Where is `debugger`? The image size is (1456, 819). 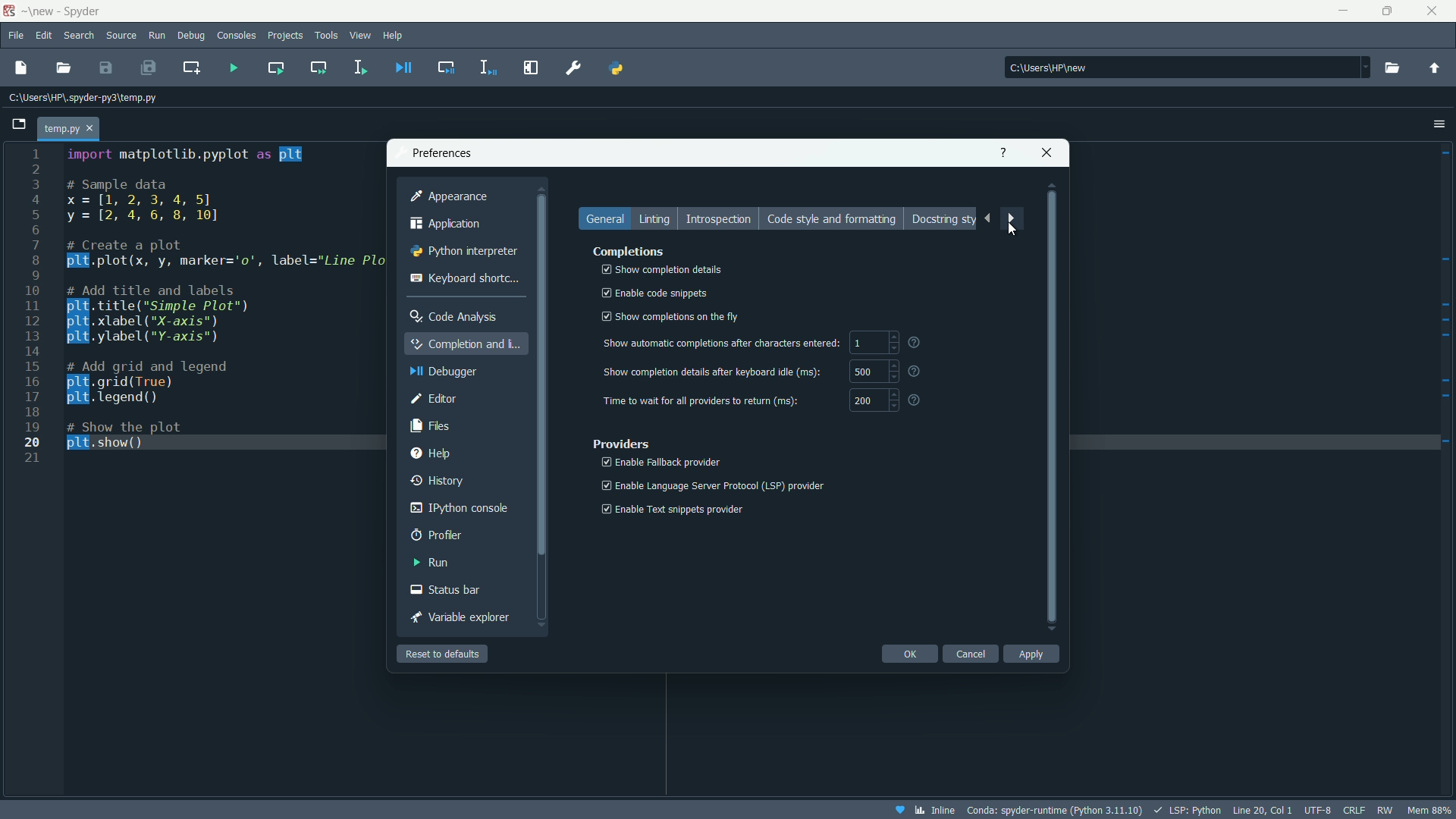 debugger is located at coordinates (440, 372).